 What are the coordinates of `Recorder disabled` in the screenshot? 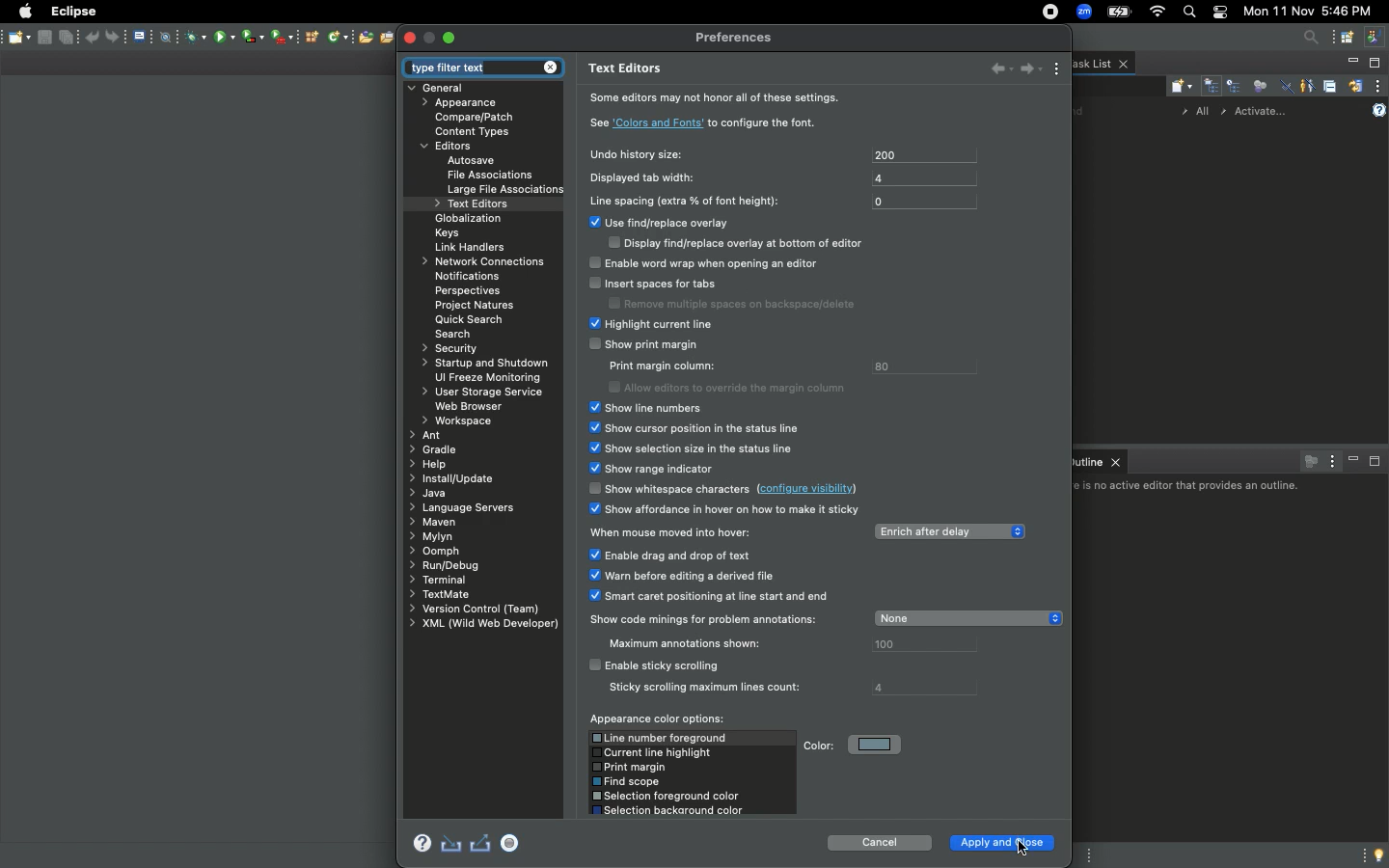 It's located at (511, 841).